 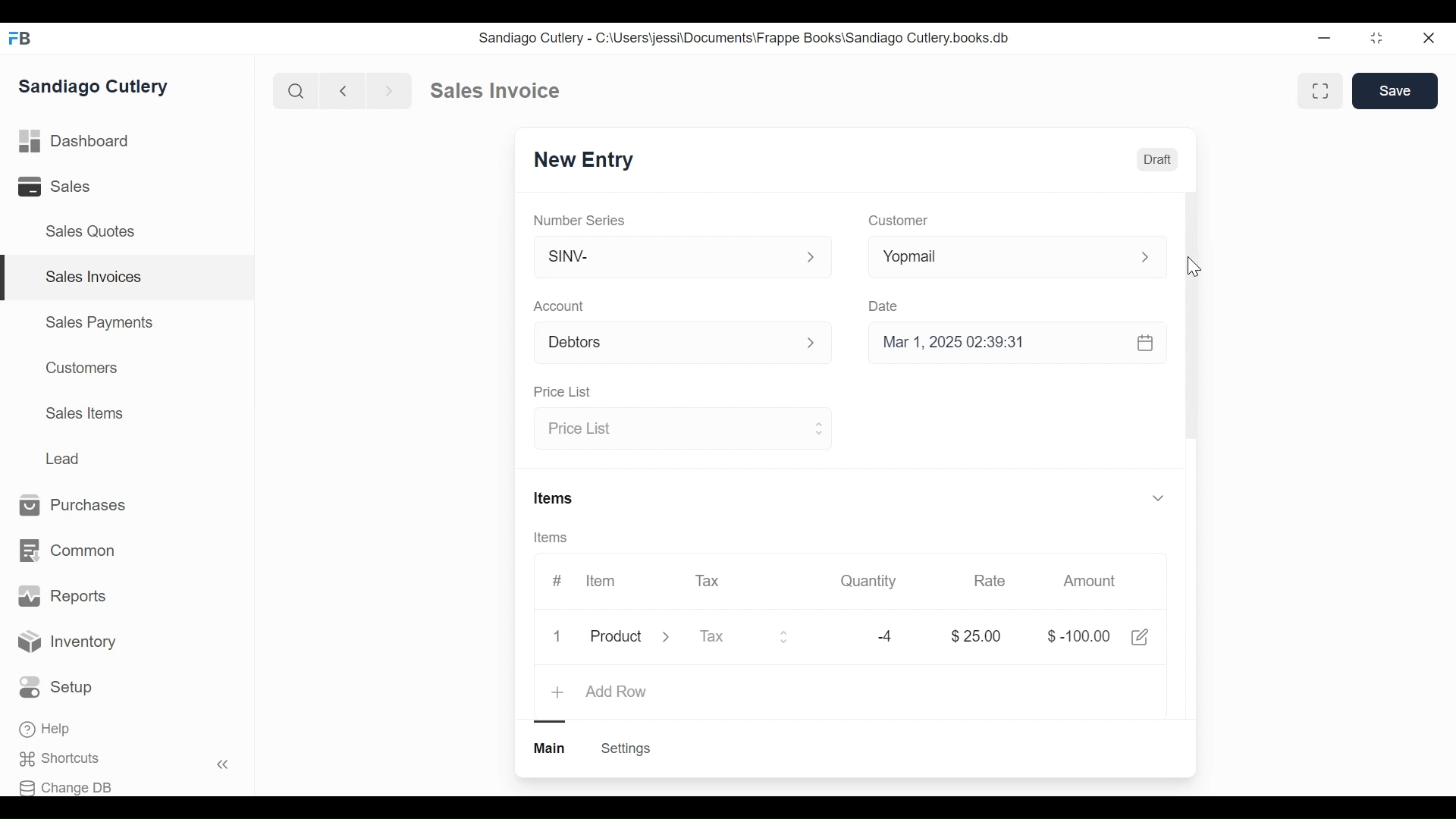 I want to click on Sandiago Cutlery, so click(x=94, y=85).